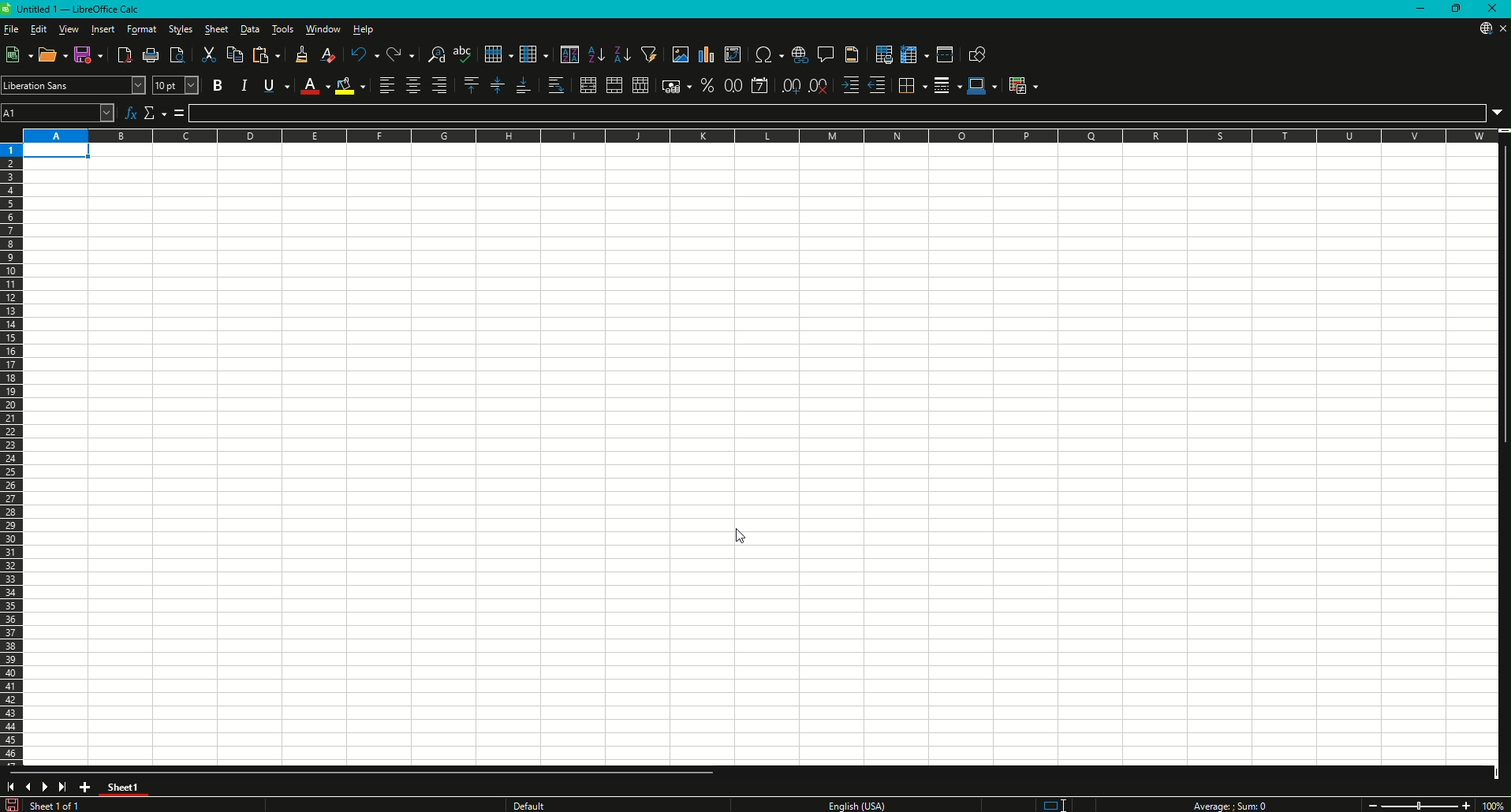 Image resolution: width=1511 pixels, height=812 pixels. Describe the element at coordinates (614, 85) in the screenshot. I see `Merge Cells` at that location.